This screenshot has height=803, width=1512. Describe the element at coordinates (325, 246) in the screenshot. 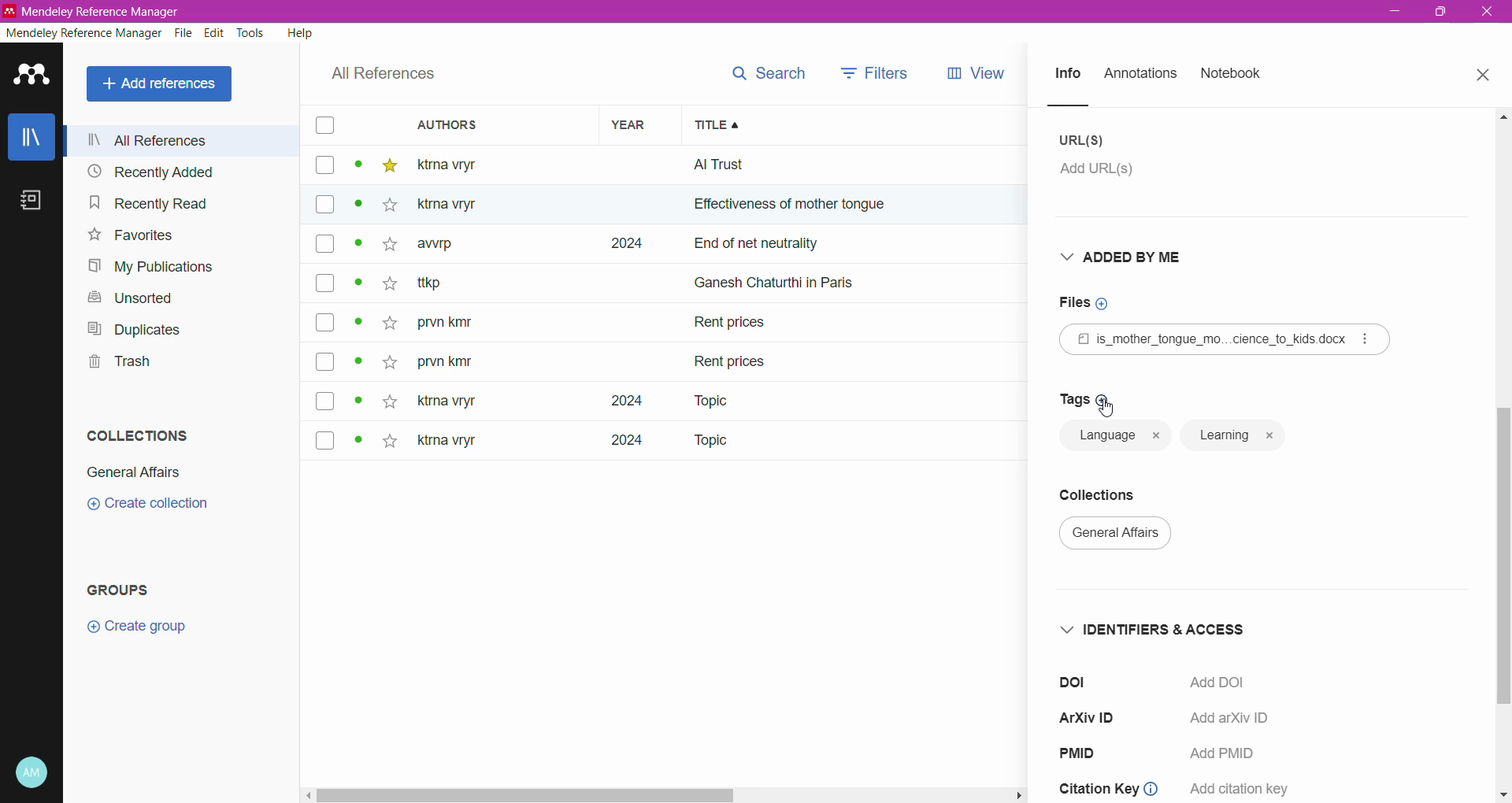

I see `box` at that location.